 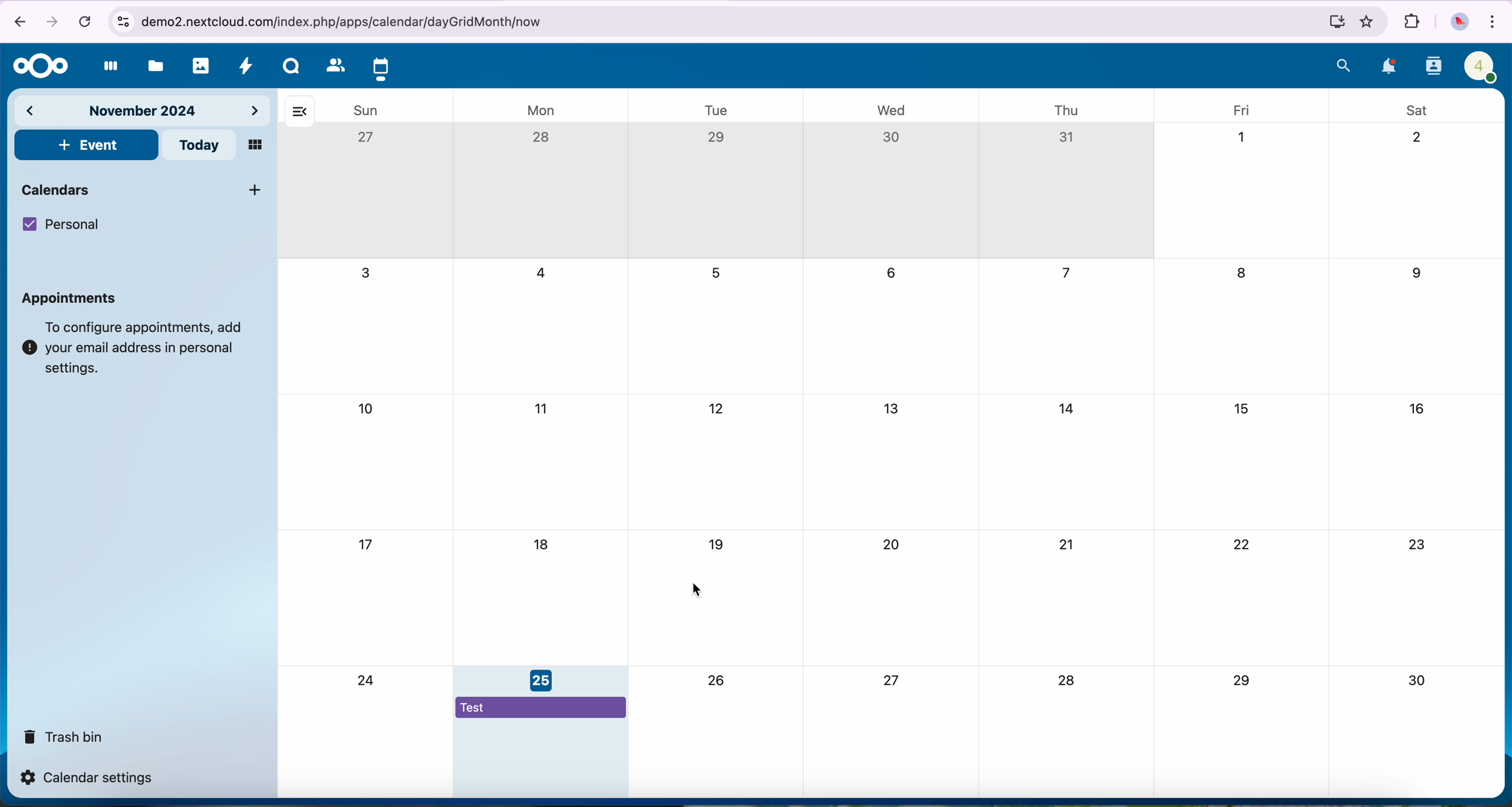 I want to click on install Nextcloud, so click(x=1335, y=21).